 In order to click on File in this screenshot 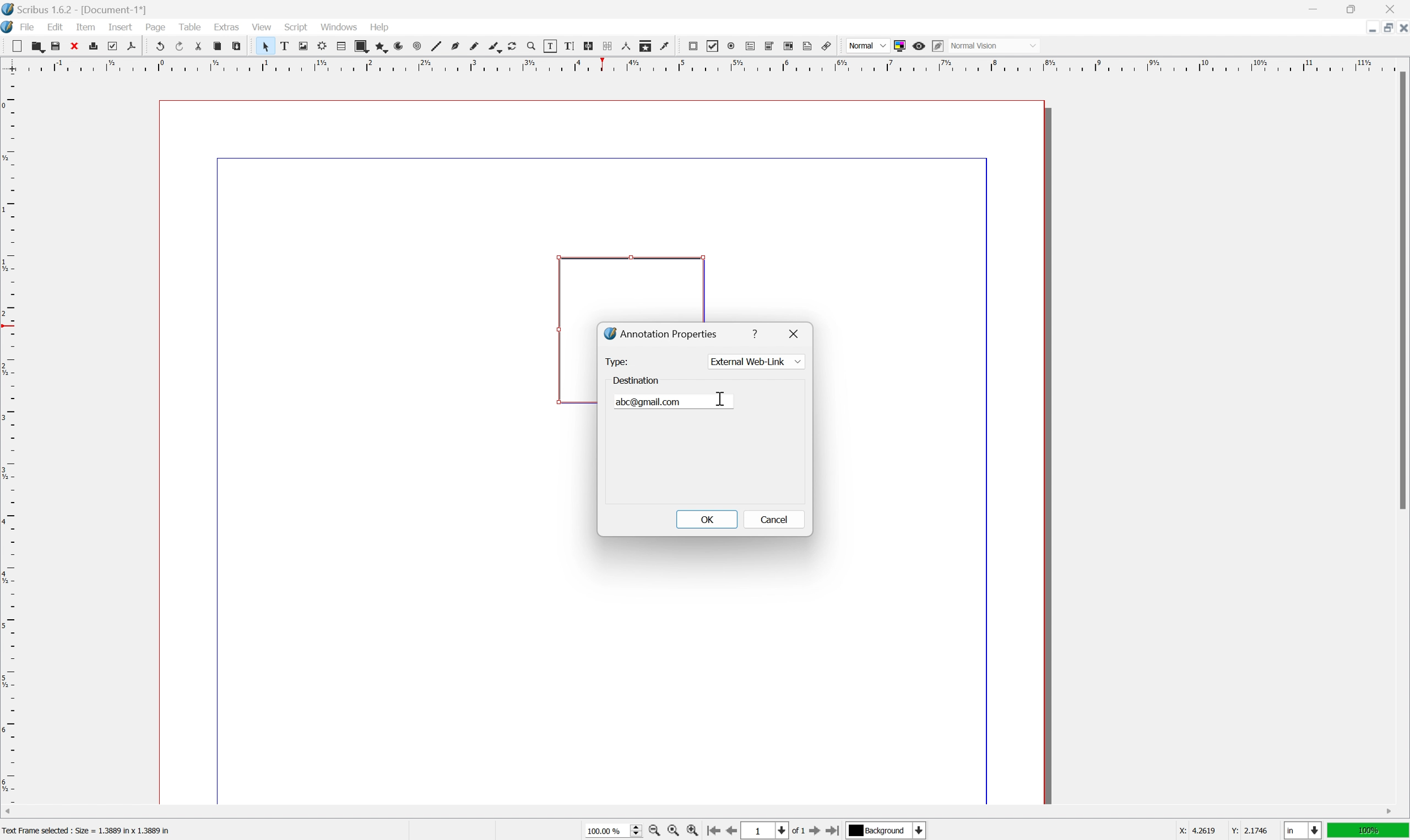, I will do `click(28, 27)`.